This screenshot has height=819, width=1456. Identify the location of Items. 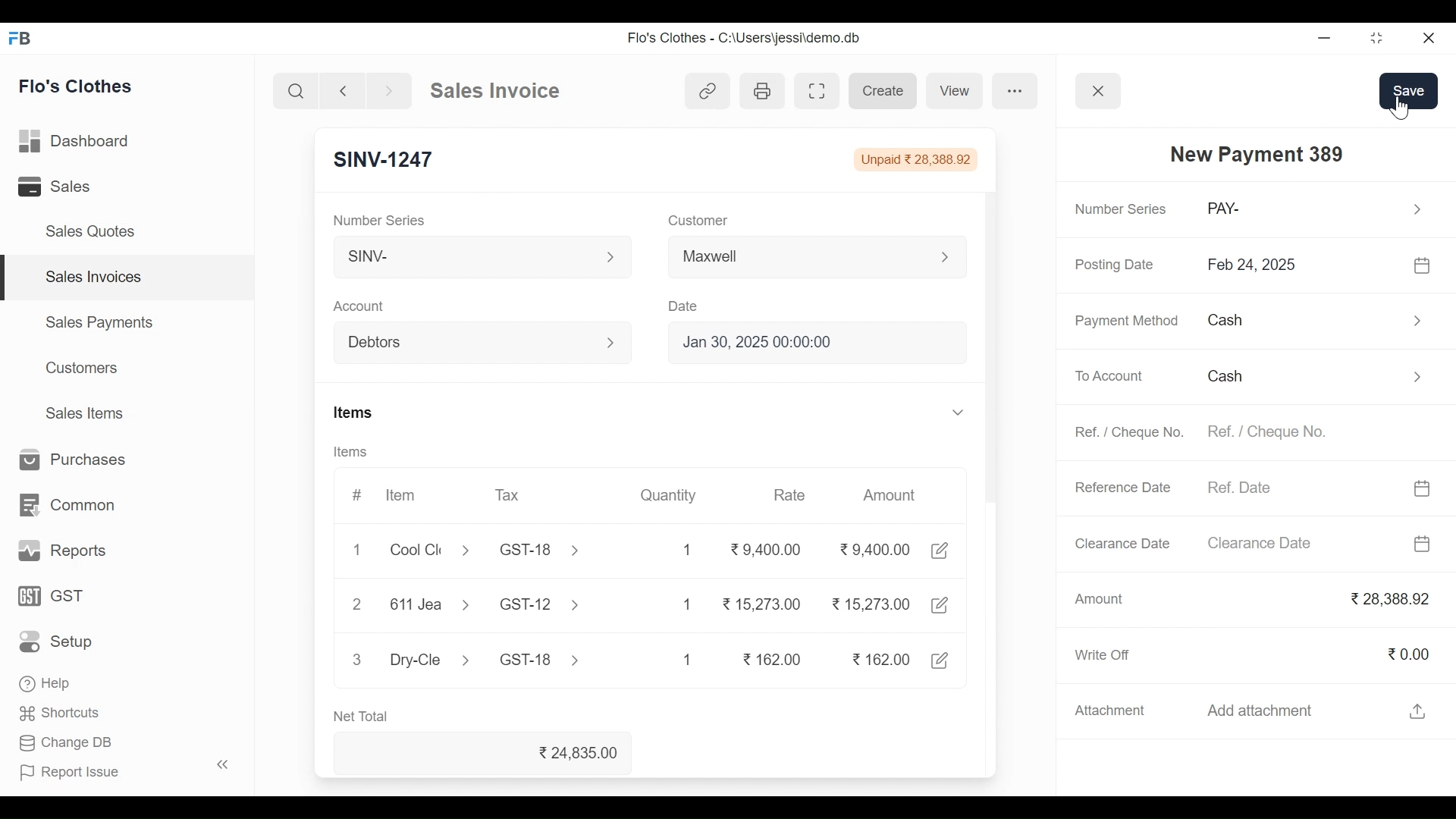
(355, 452).